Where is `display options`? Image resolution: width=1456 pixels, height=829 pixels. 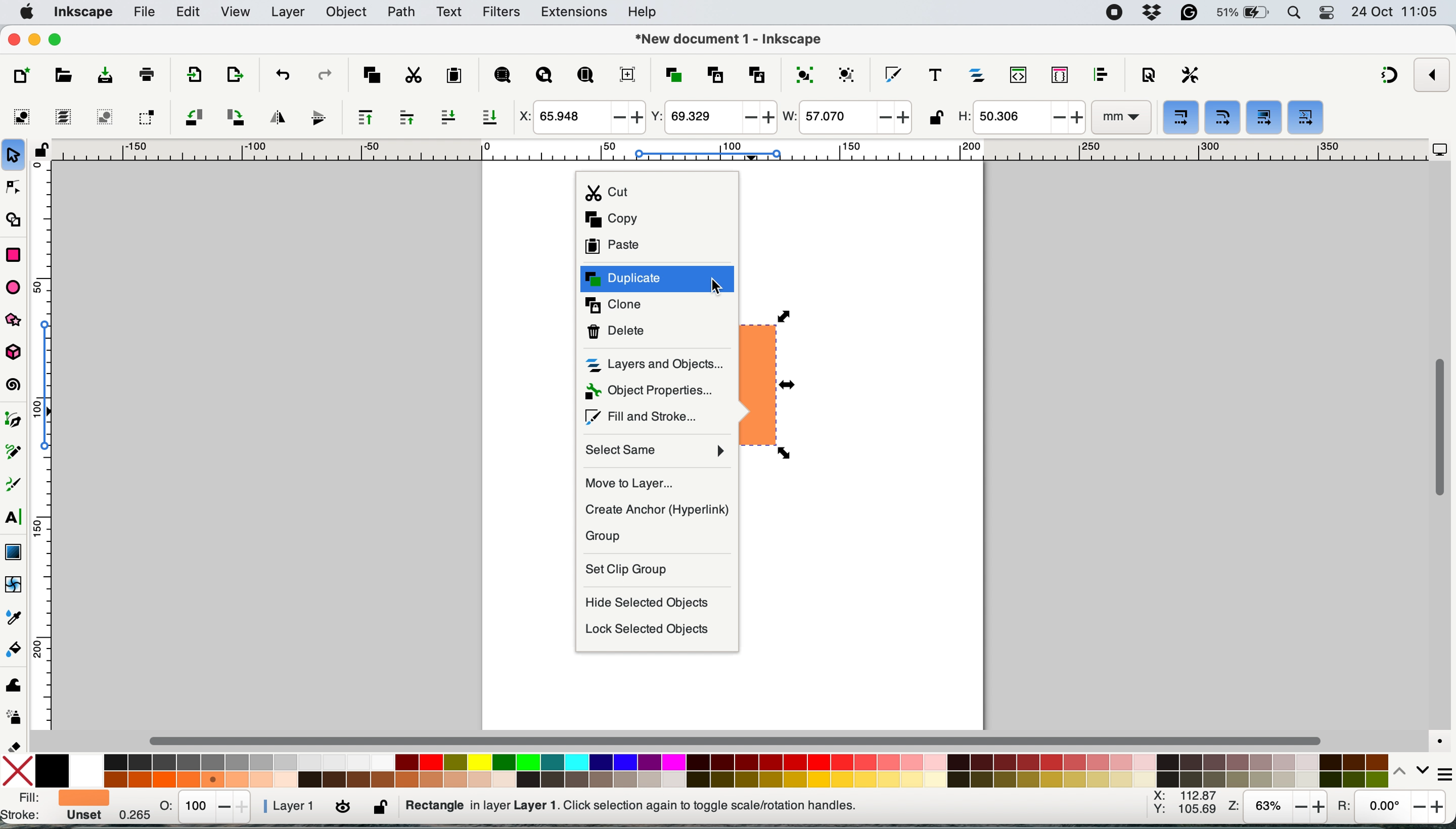
display options is located at coordinates (1440, 150).